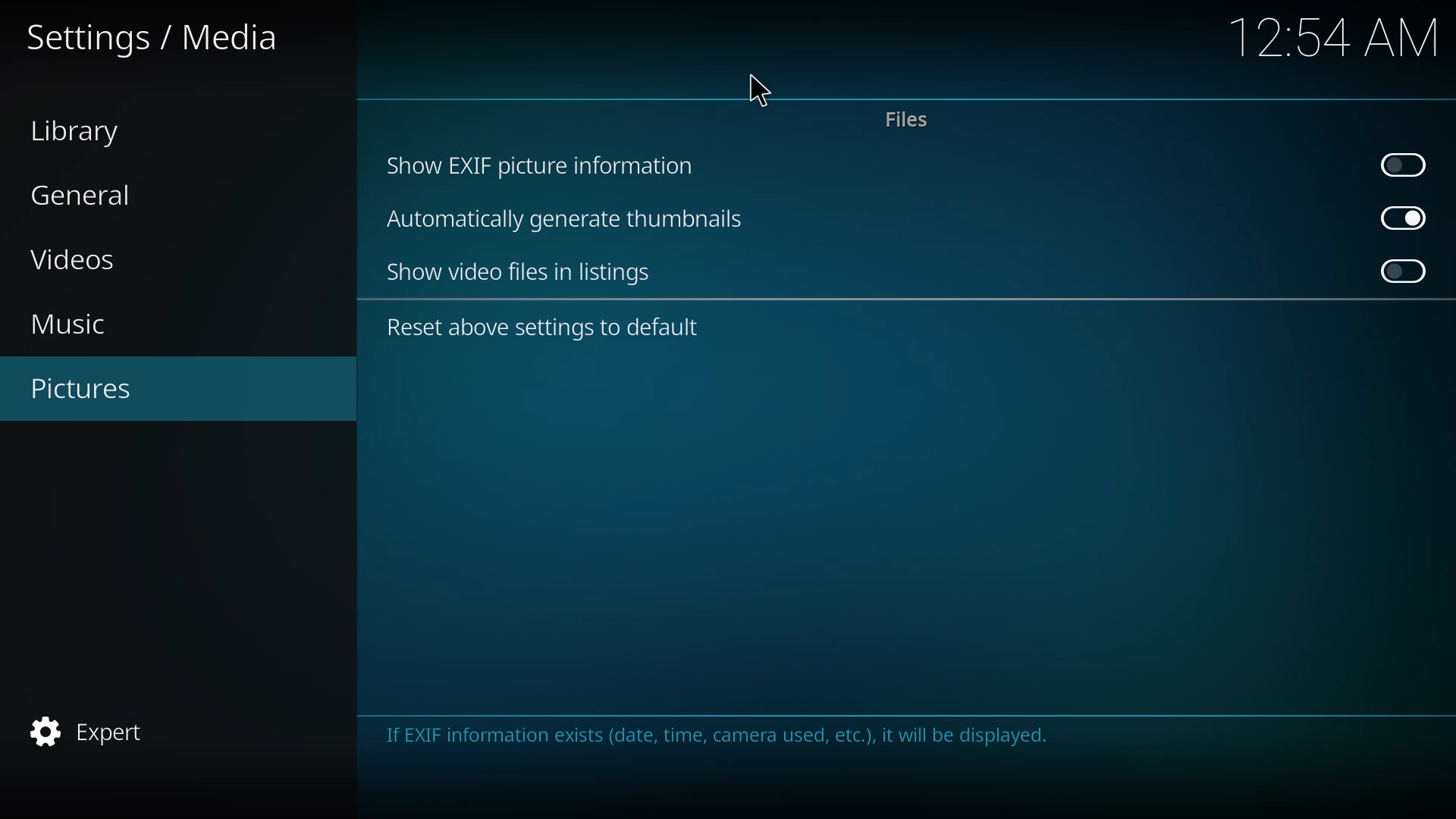 The height and width of the screenshot is (819, 1456). I want to click on show video files in listing, so click(524, 273).